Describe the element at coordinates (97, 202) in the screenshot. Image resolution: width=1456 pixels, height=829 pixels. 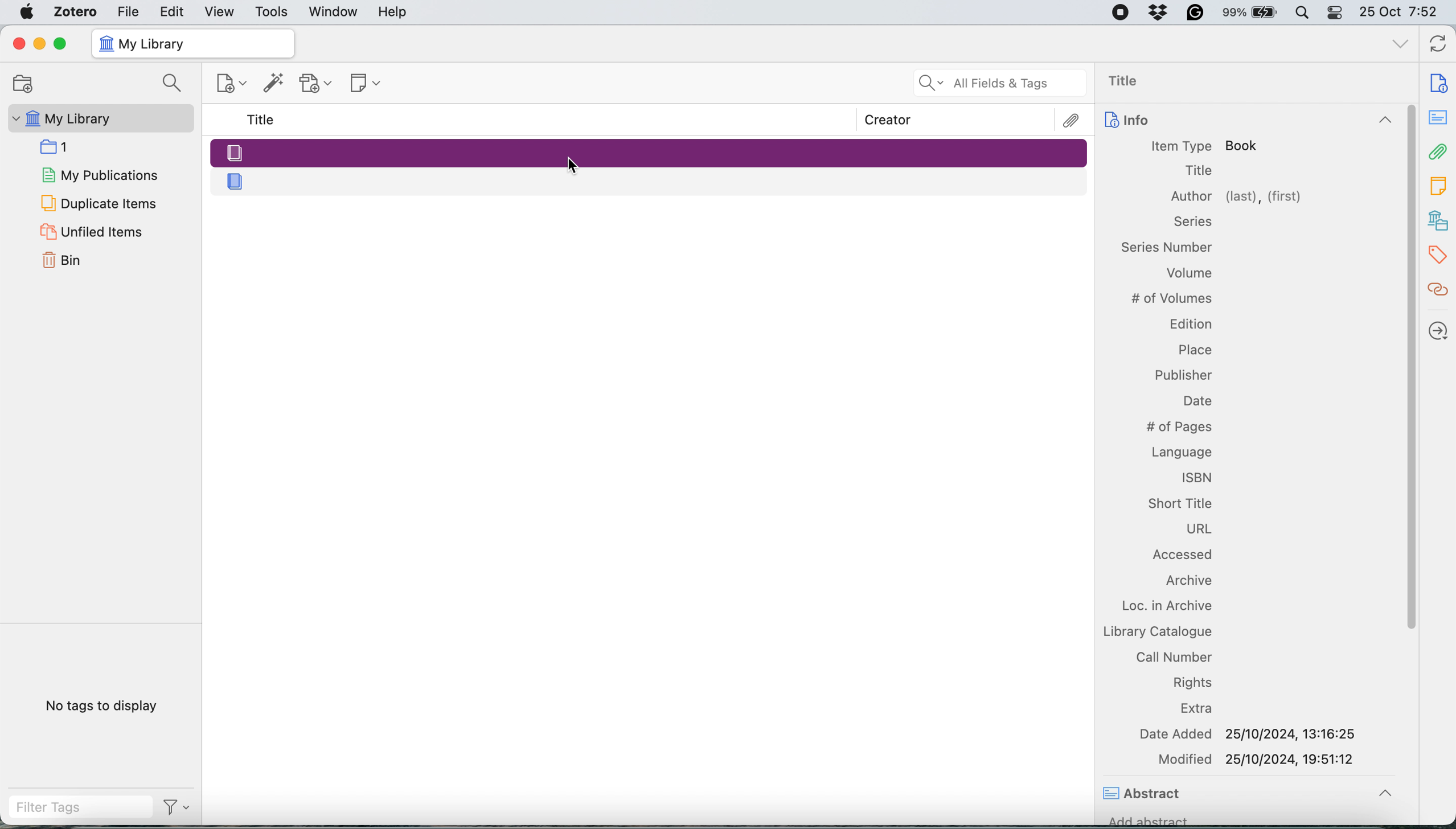
I see `Duplicate Items` at that location.